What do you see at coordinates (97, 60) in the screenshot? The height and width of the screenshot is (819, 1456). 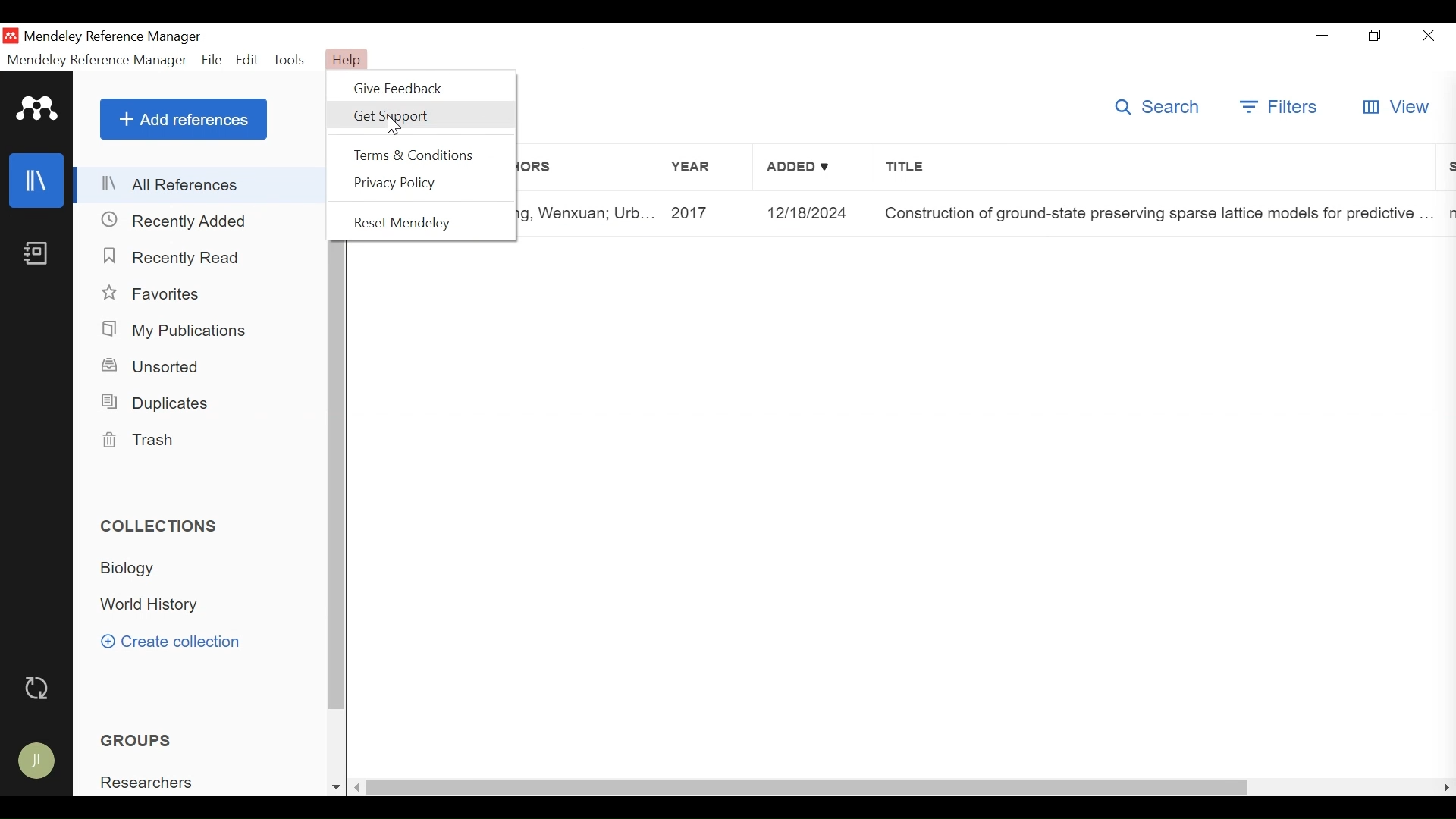 I see `Mendeley Reference Manager` at bounding box center [97, 60].